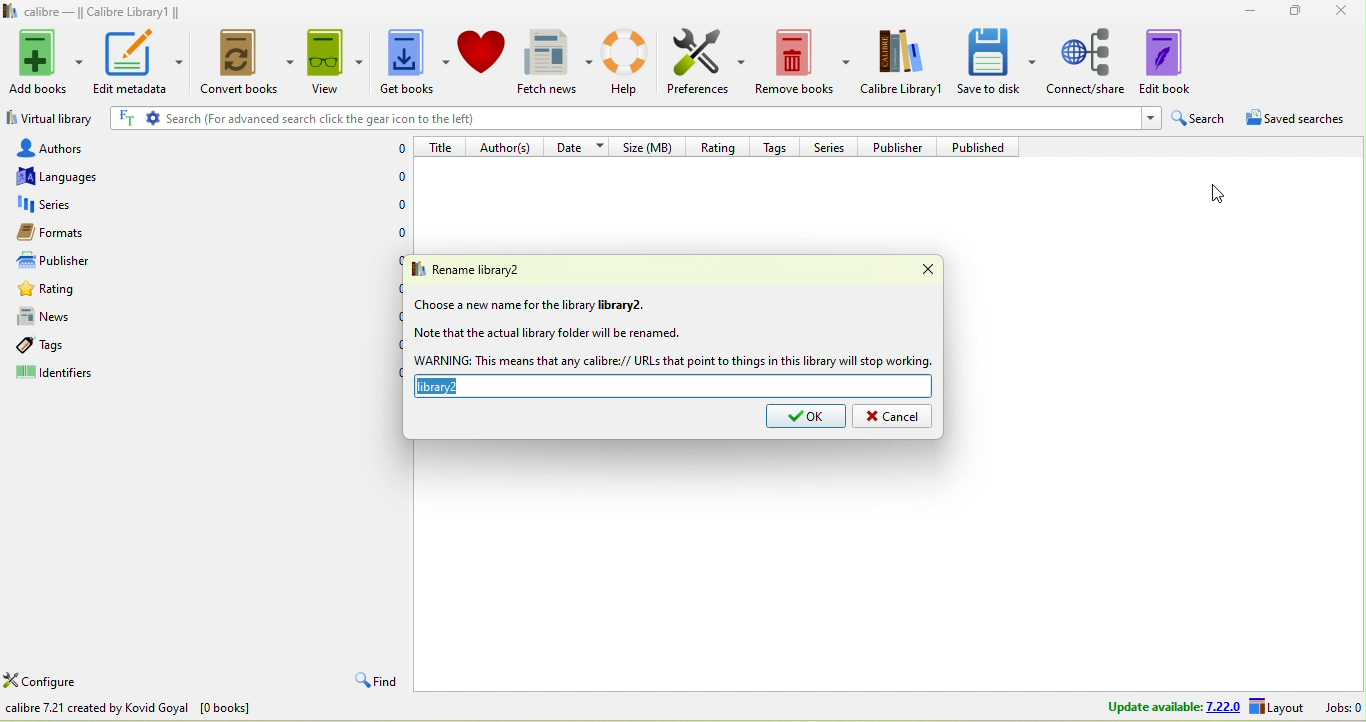 This screenshot has height=722, width=1366. Describe the element at coordinates (508, 146) in the screenshot. I see `author(s)` at that location.